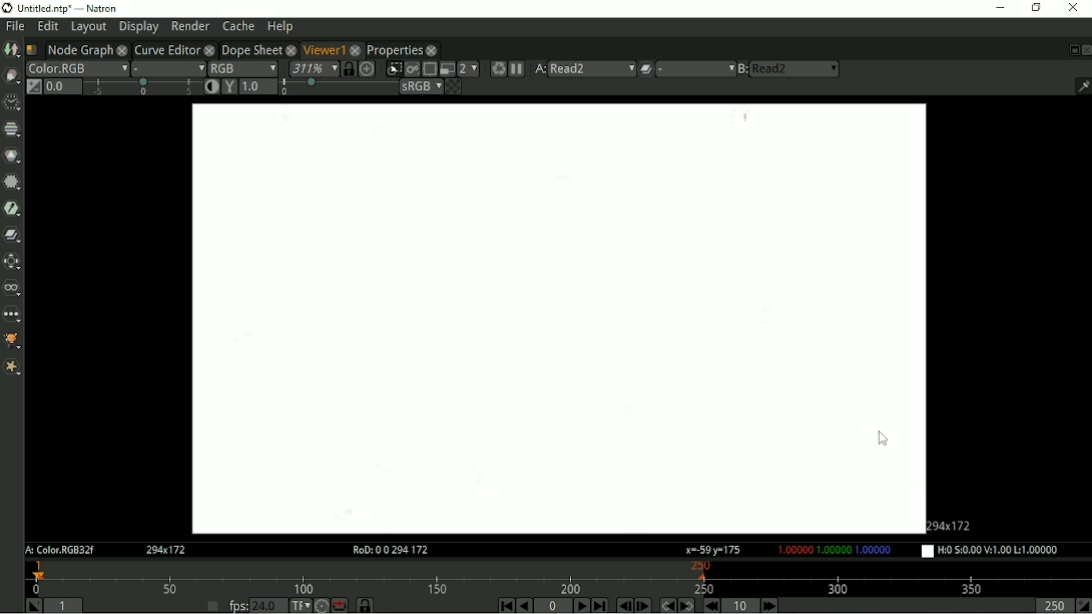 Image resolution: width=1092 pixels, height=614 pixels. Describe the element at coordinates (518, 69) in the screenshot. I see `Pause updates` at that location.